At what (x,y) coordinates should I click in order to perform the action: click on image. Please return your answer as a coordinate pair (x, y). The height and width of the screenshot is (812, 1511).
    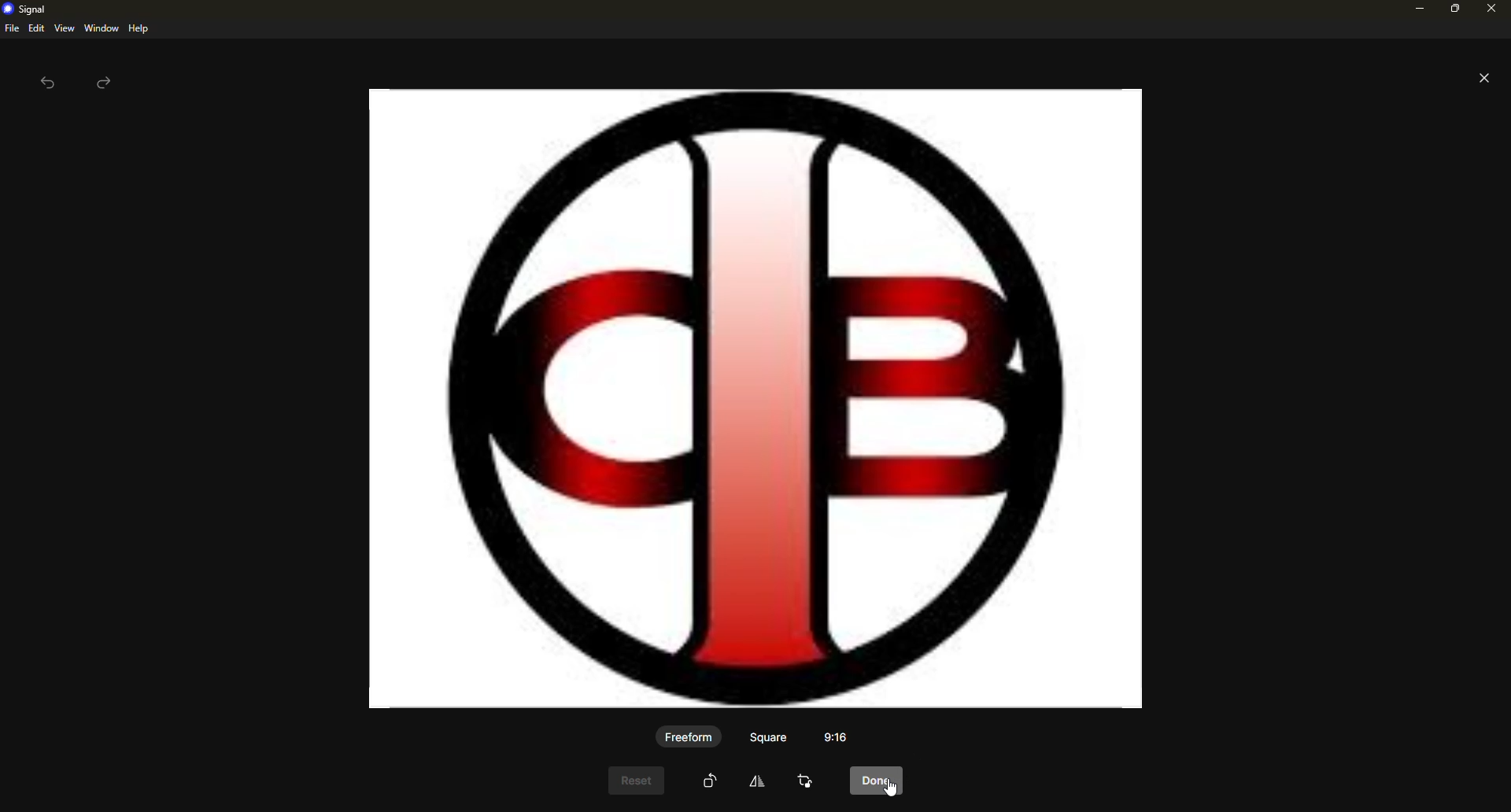
    Looking at the image, I should click on (748, 397).